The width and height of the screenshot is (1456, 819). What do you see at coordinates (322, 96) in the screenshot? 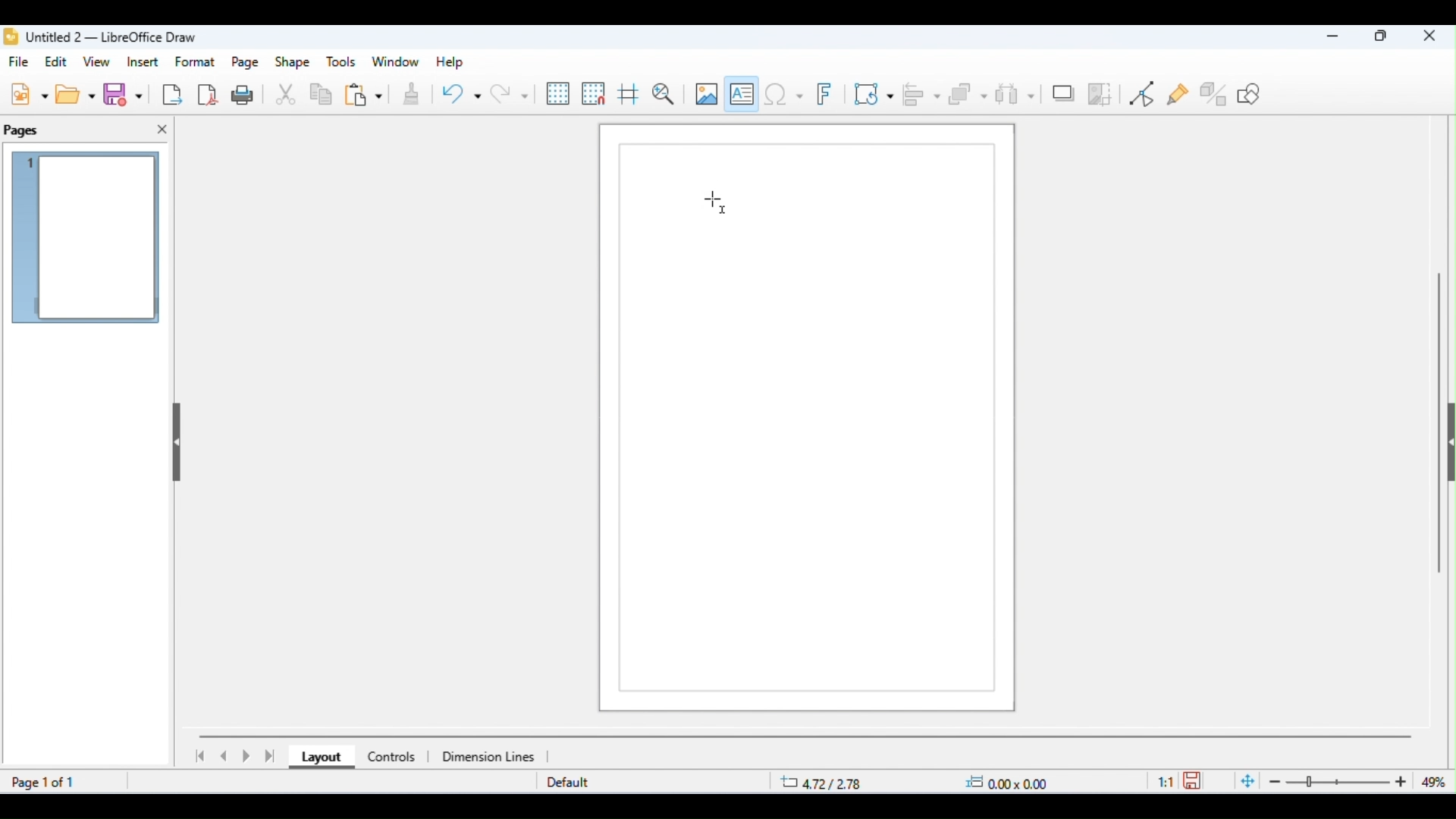
I see `copy` at bounding box center [322, 96].